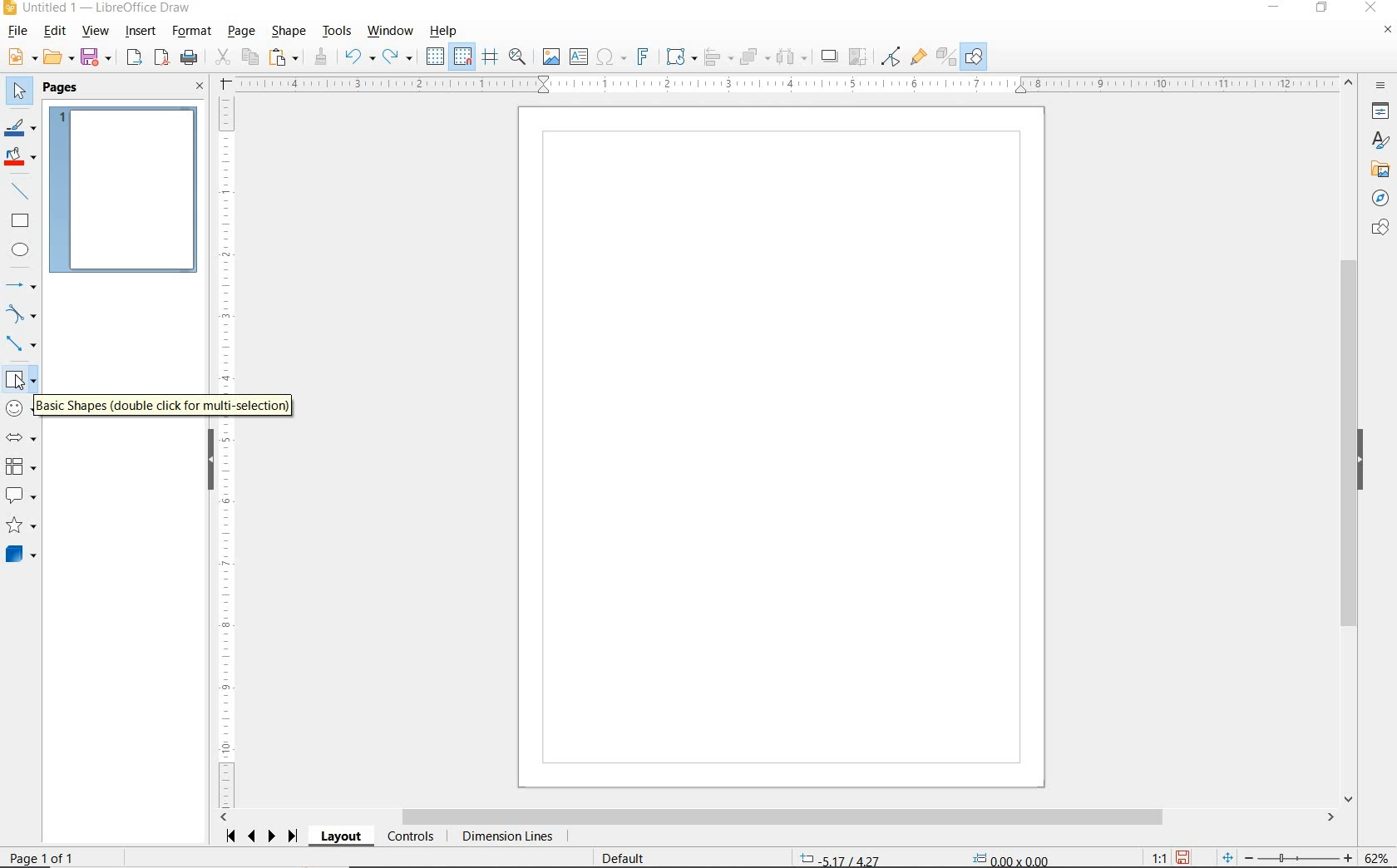 This screenshot has height=868, width=1397. Describe the element at coordinates (97, 58) in the screenshot. I see `SAVE` at that location.